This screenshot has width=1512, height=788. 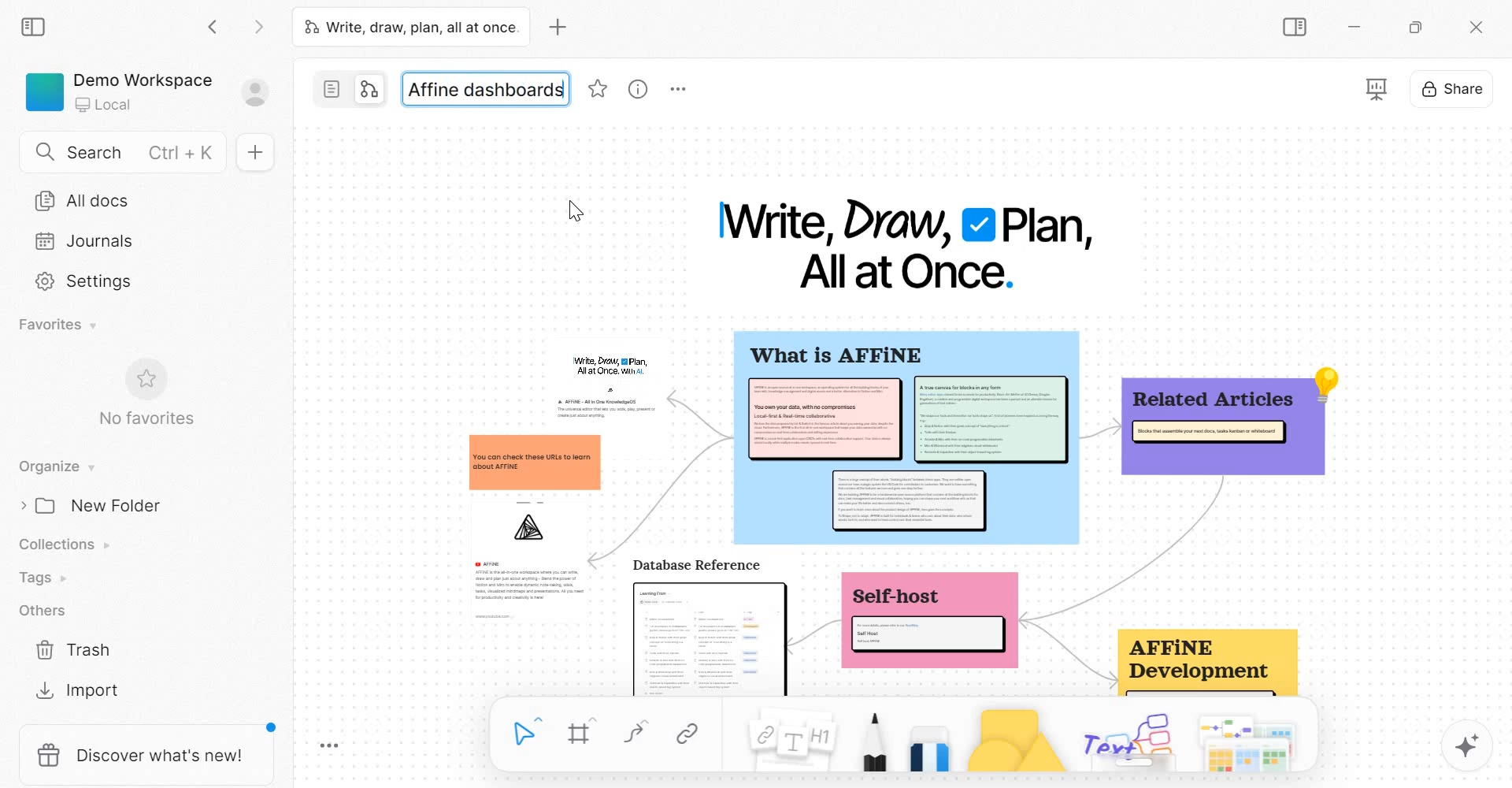 What do you see at coordinates (369, 89) in the screenshot?
I see `edgeless mode` at bounding box center [369, 89].